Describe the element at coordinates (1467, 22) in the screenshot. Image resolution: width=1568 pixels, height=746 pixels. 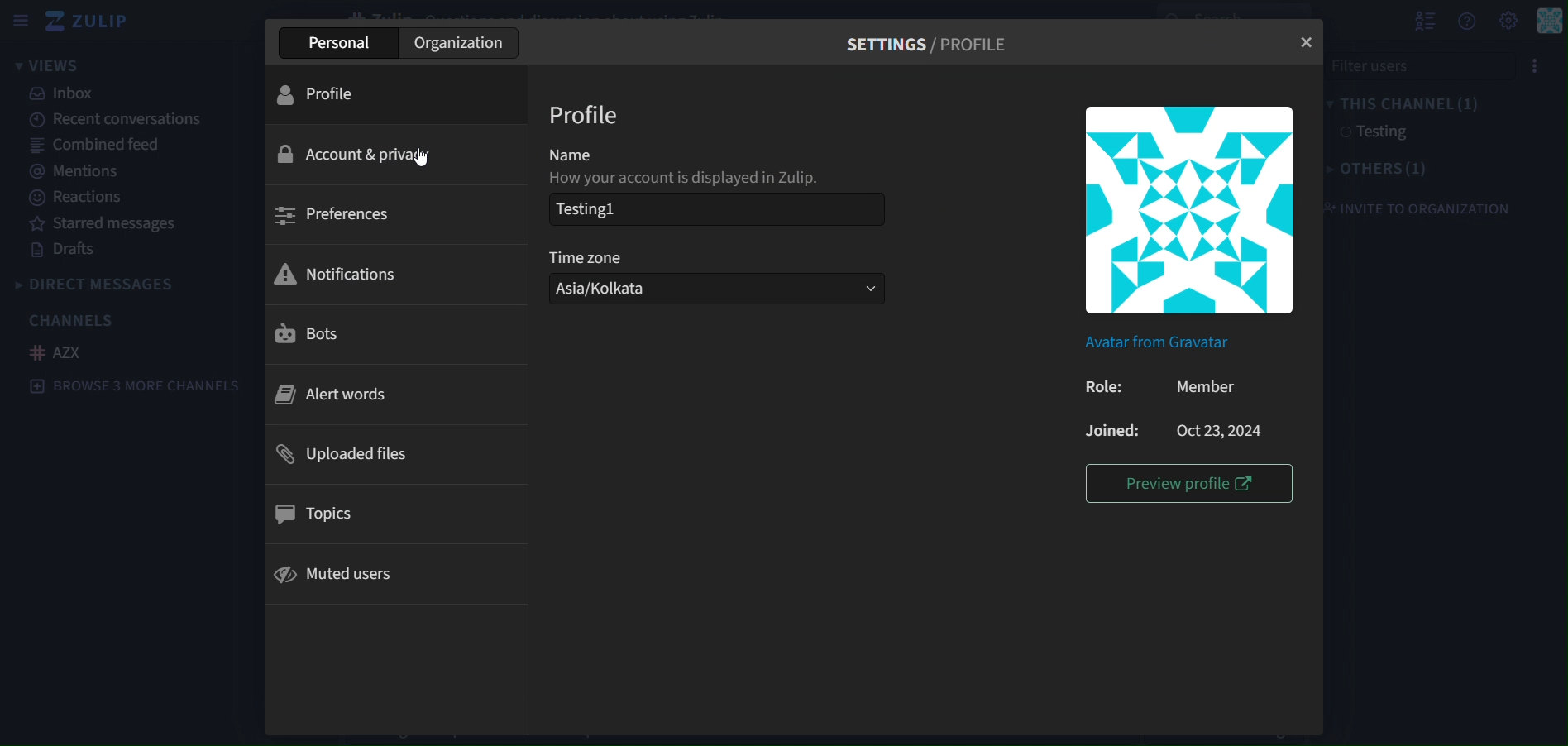
I see `get help` at that location.